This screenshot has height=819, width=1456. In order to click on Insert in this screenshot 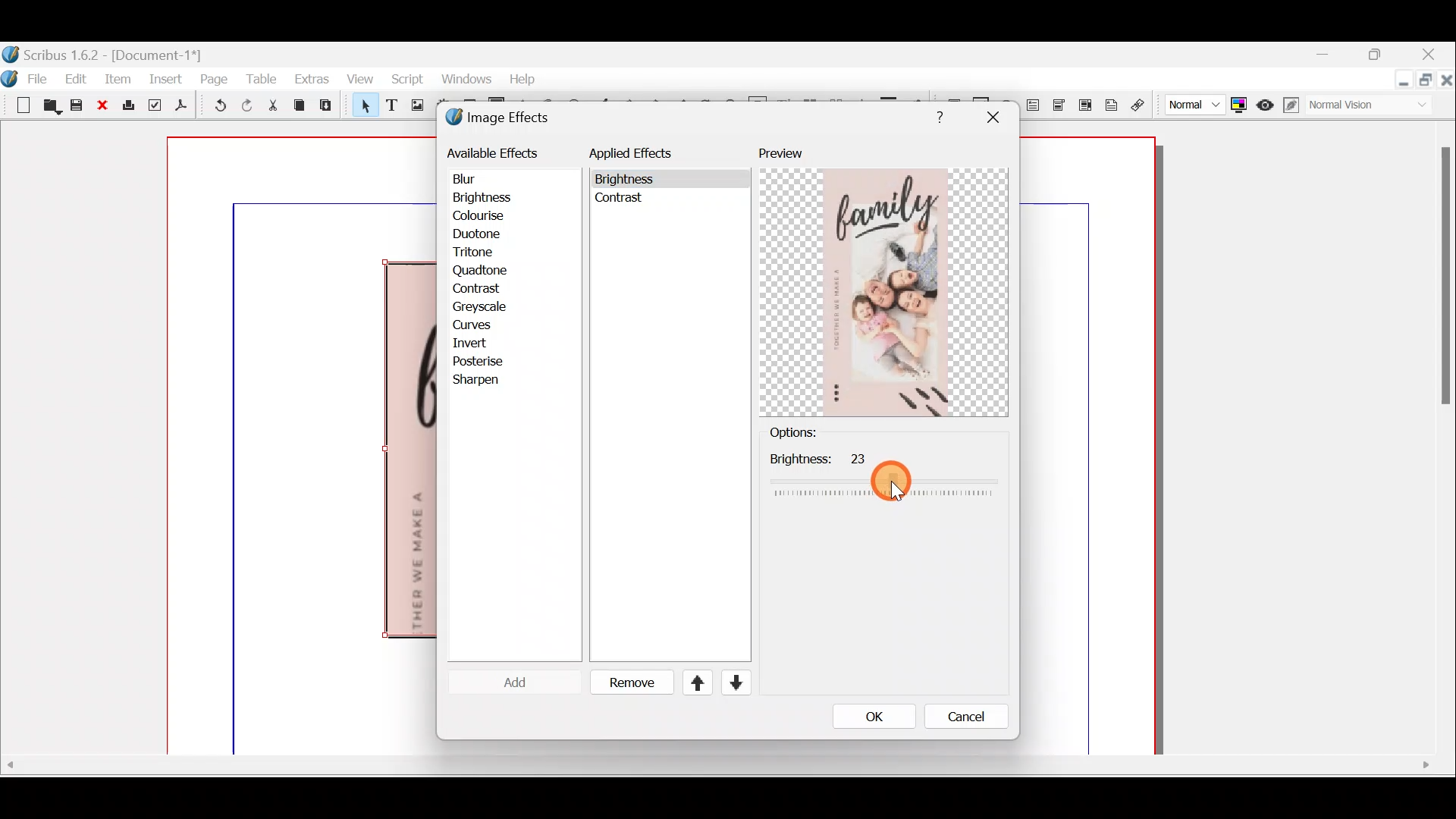, I will do `click(166, 78)`.